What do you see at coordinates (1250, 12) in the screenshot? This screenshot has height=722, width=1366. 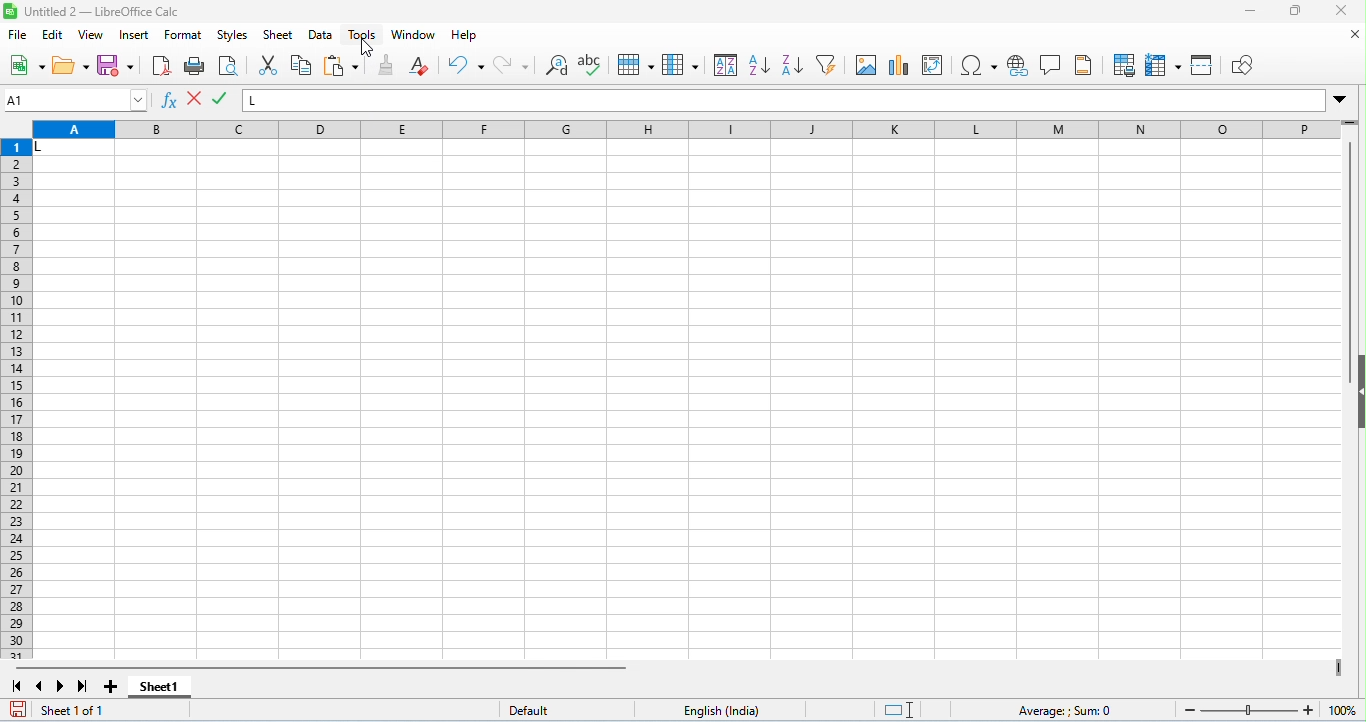 I see `minimize` at bounding box center [1250, 12].